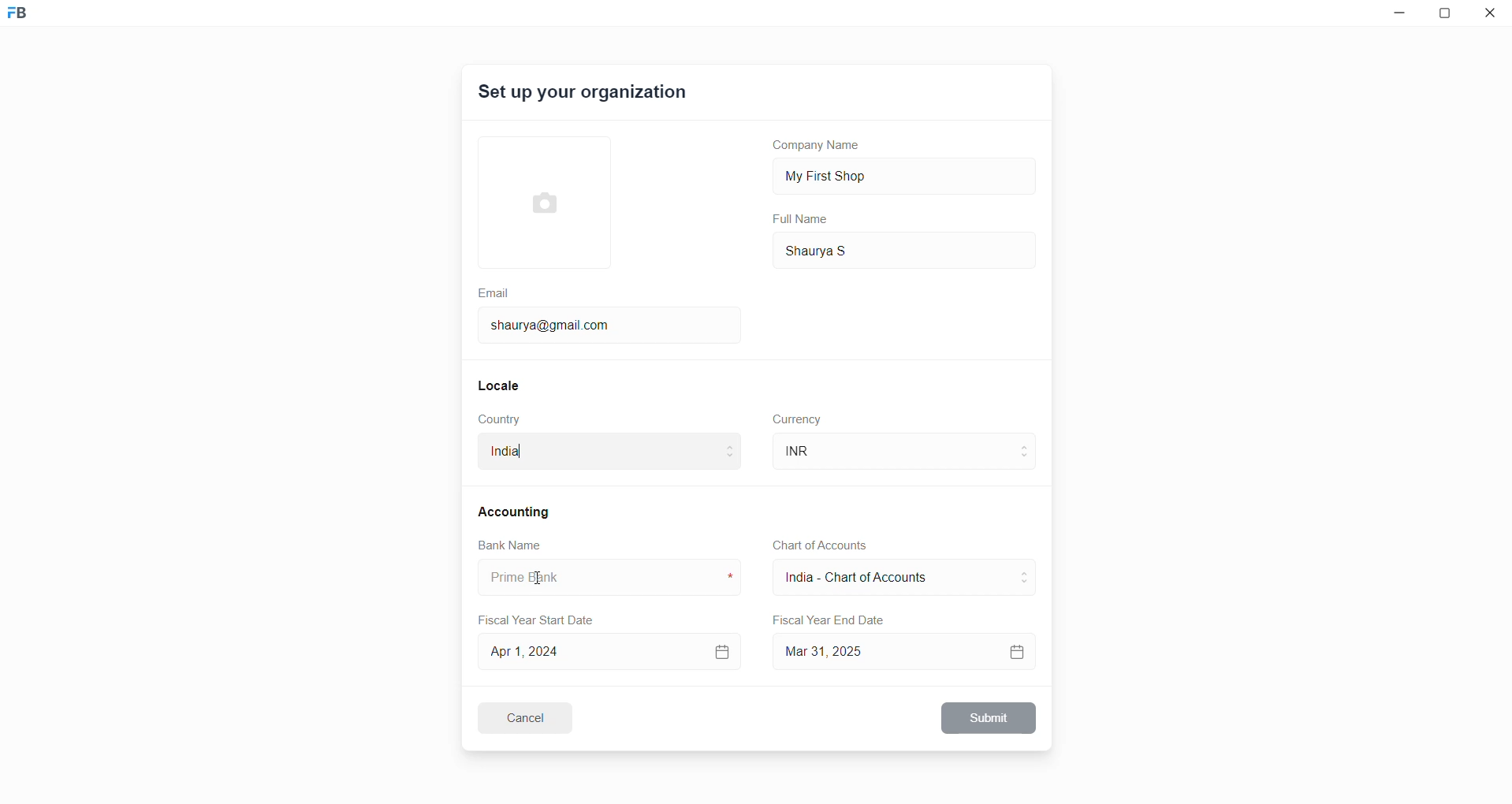  Describe the element at coordinates (1396, 17) in the screenshot. I see `minimize` at that location.